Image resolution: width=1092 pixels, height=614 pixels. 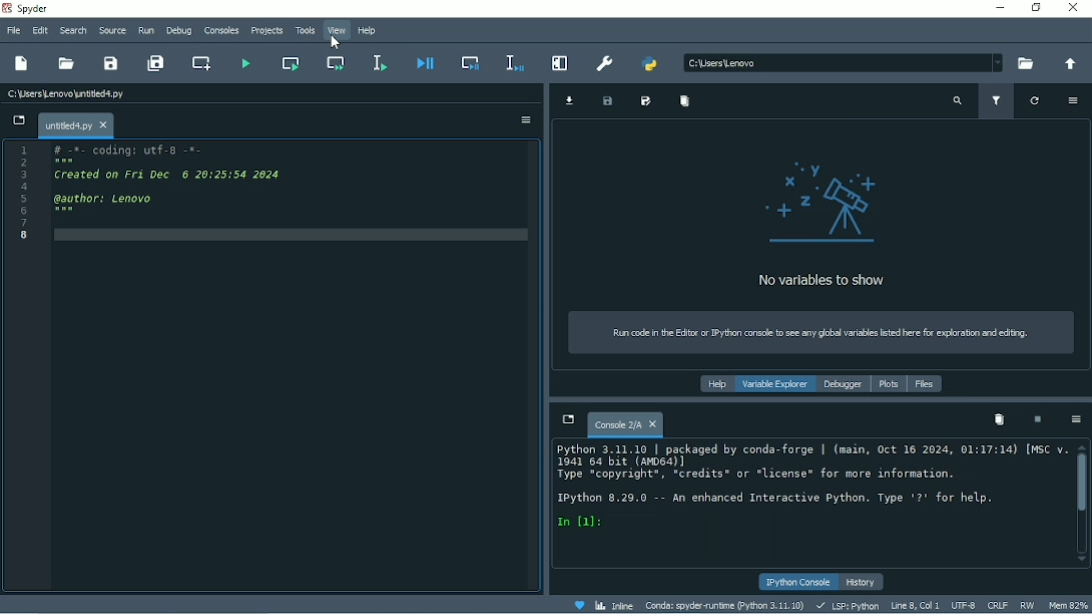 I want to click on author, so click(x=103, y=199).